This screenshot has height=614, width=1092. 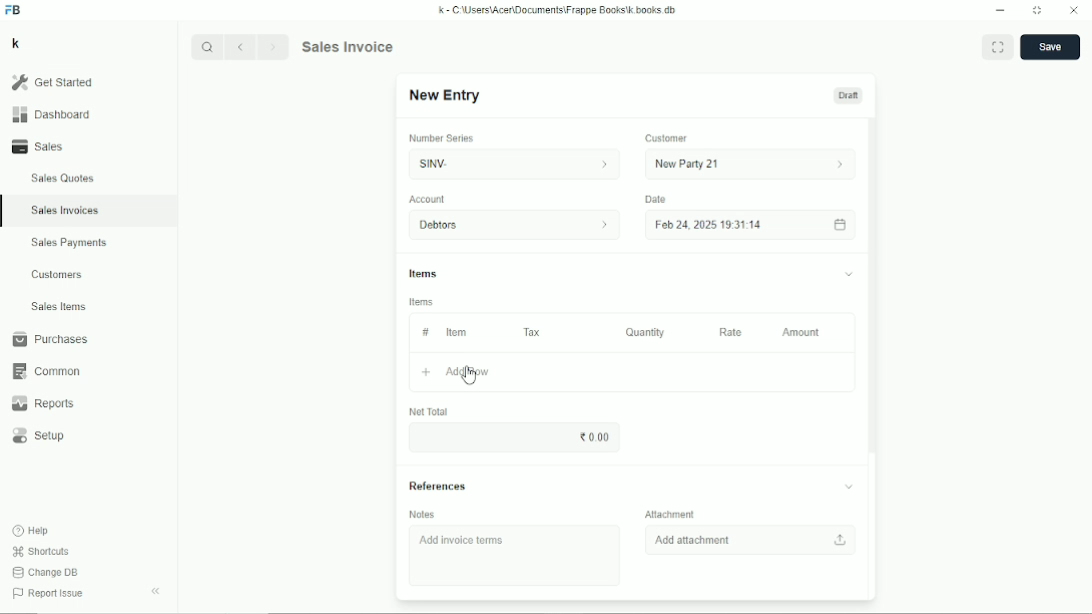 I want to click on Sales quotes, so click(x=61, y=178).